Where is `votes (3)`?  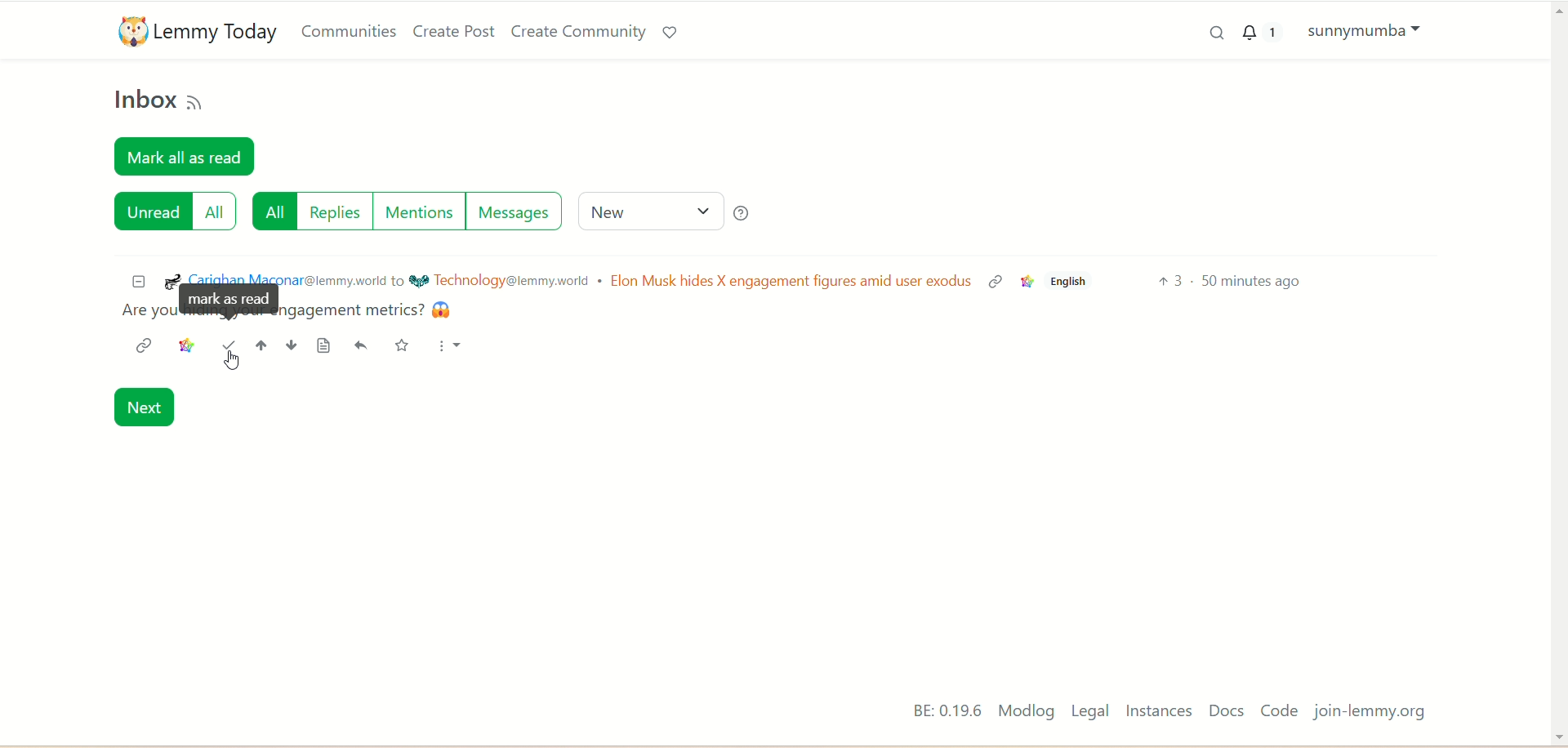 votes (3) is located at coordinates (1172, 283).